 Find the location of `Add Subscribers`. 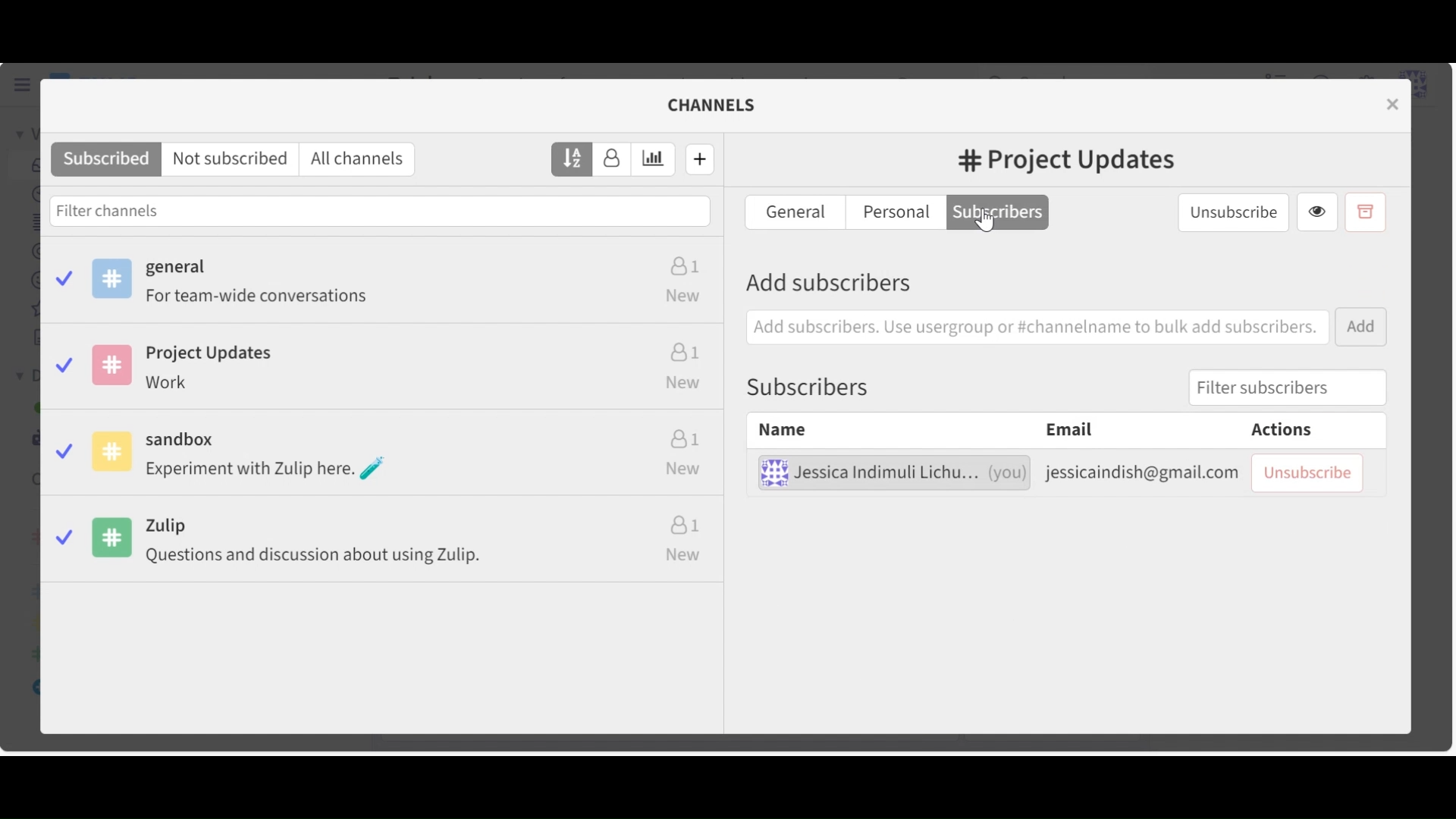

Add Subscribers is located at coordinates (821, 282).